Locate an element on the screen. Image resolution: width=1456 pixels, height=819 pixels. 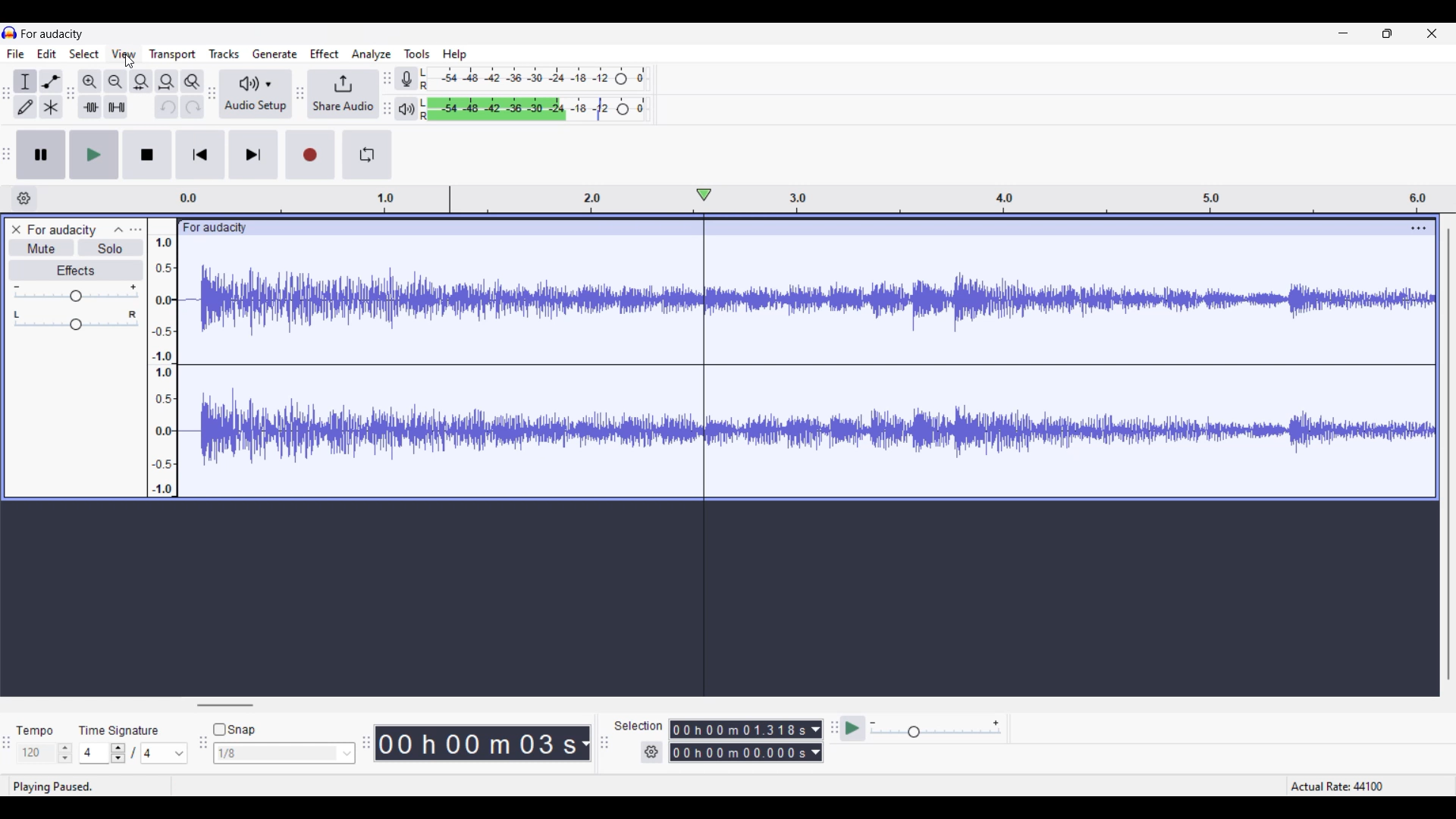
Track options is located at coordinates (1419, 228).